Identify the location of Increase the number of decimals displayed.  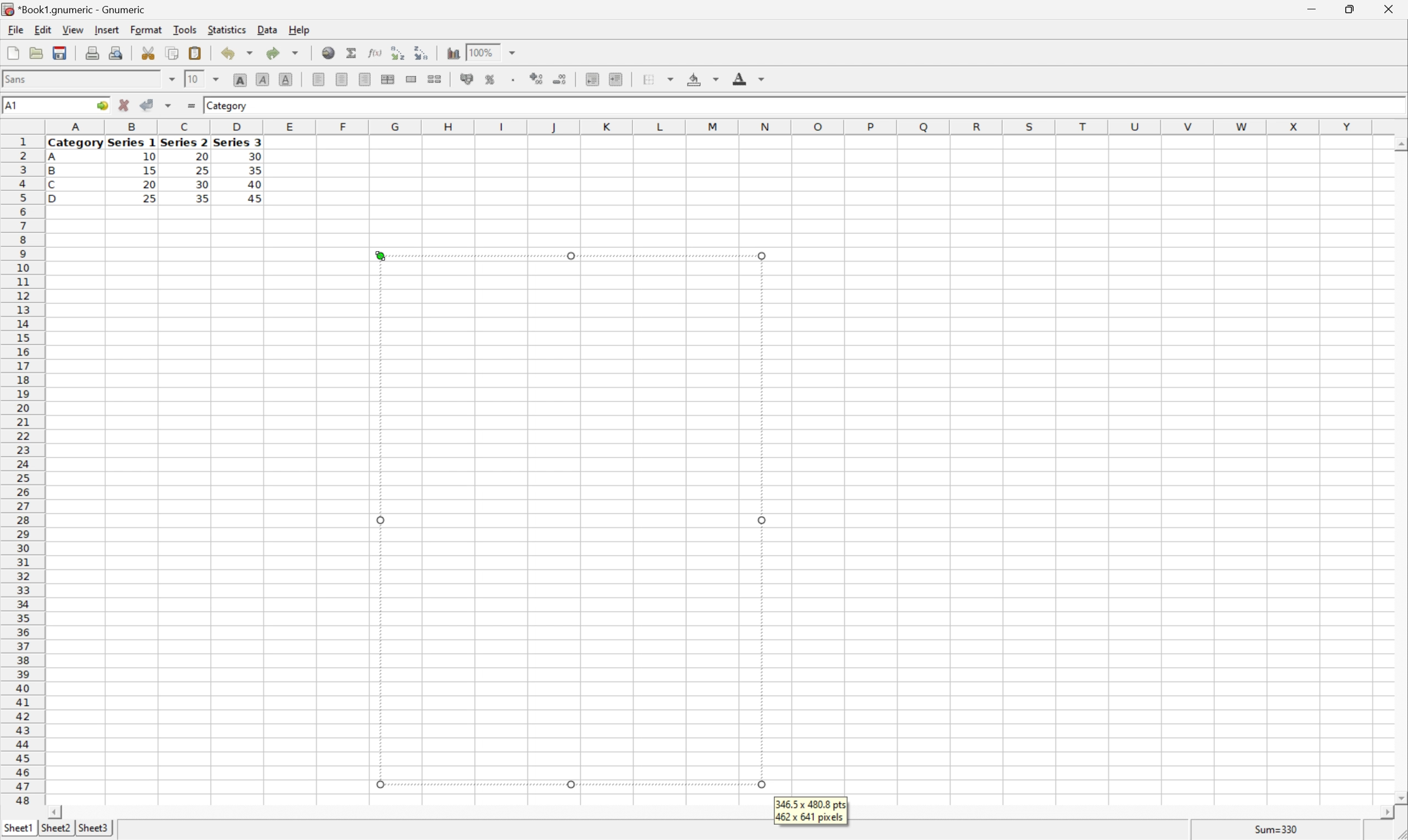
(538, 79).